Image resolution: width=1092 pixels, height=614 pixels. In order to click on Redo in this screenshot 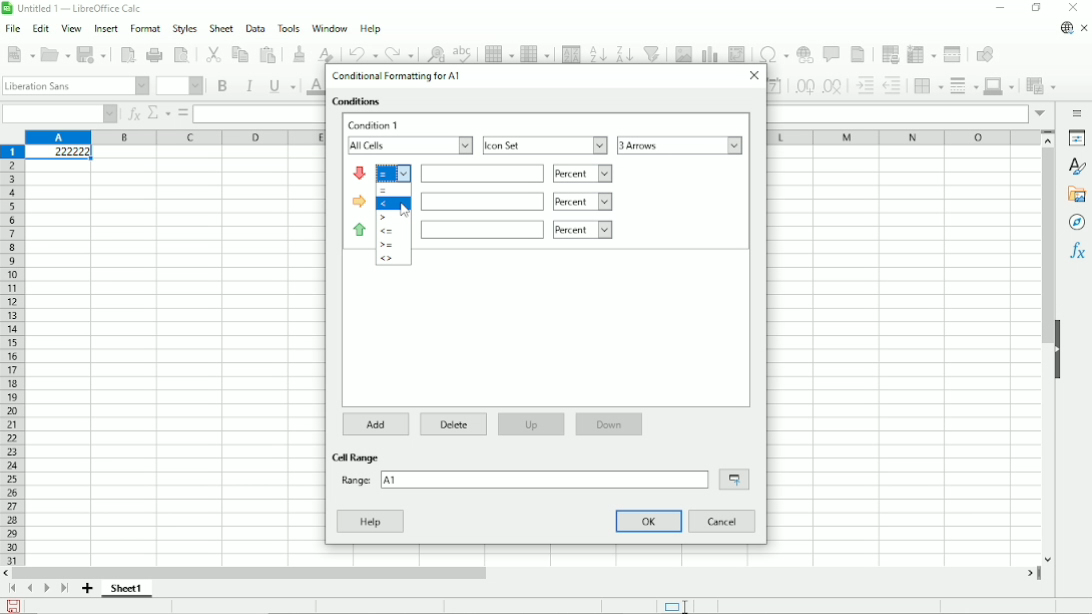, I will do `click(402, 52)`.